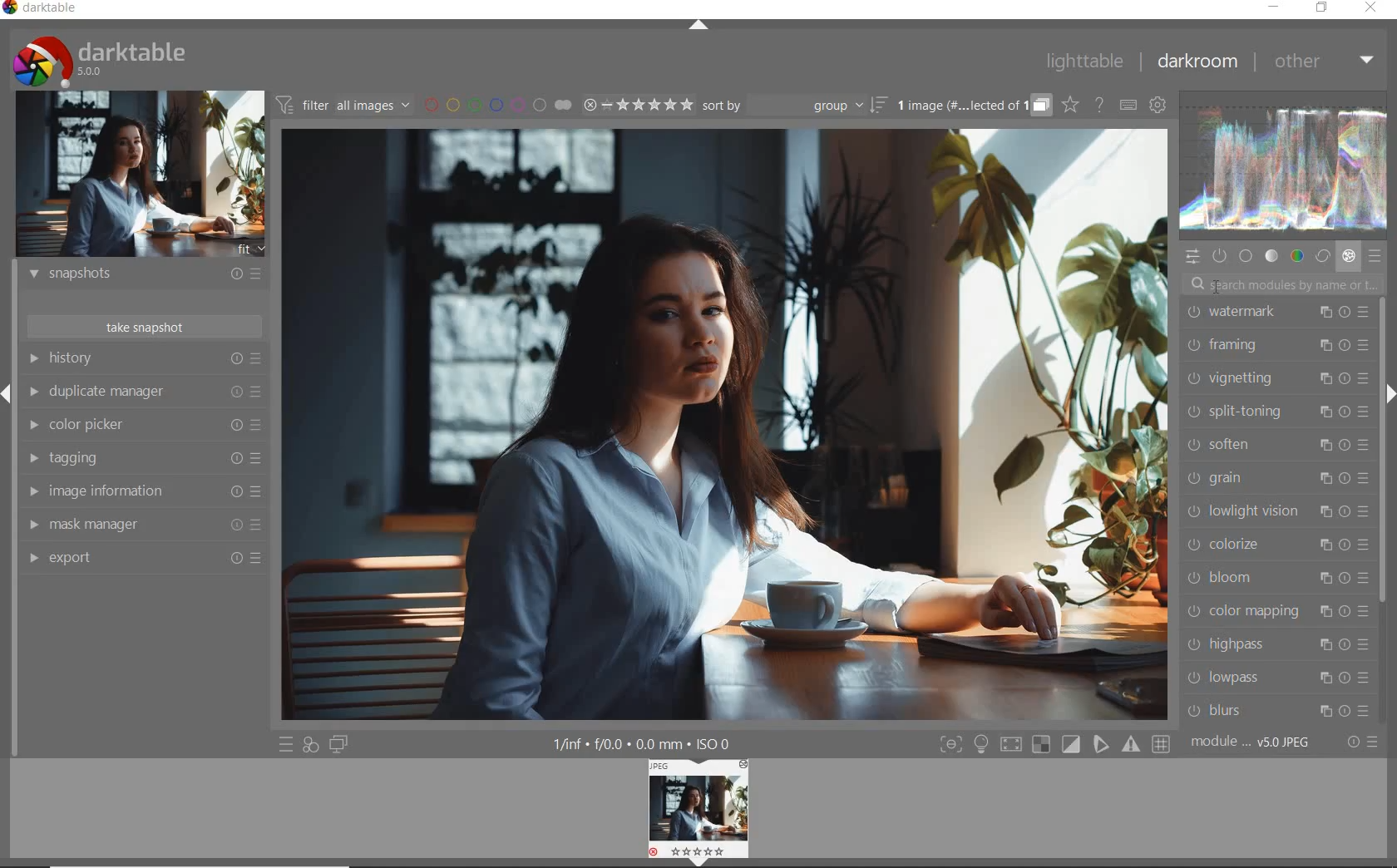 The width and height of the screenshot is (1397, 868). Describe the element at coordinates (722, 424) in the screenshot. I see `selected image` at that location.